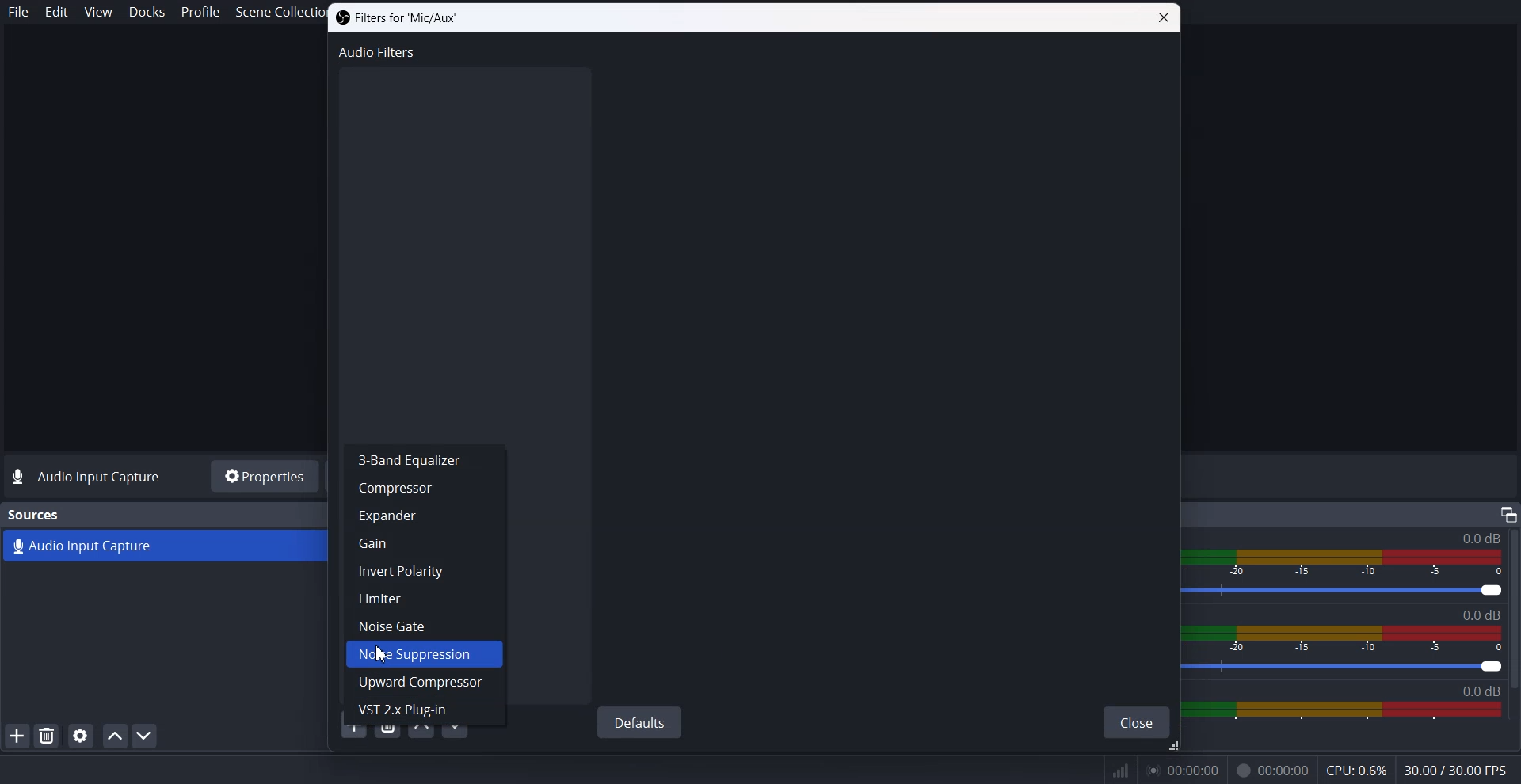 The width and height of the screenshot is (1521, 784). I want to click on Properties, so click(263, 476).